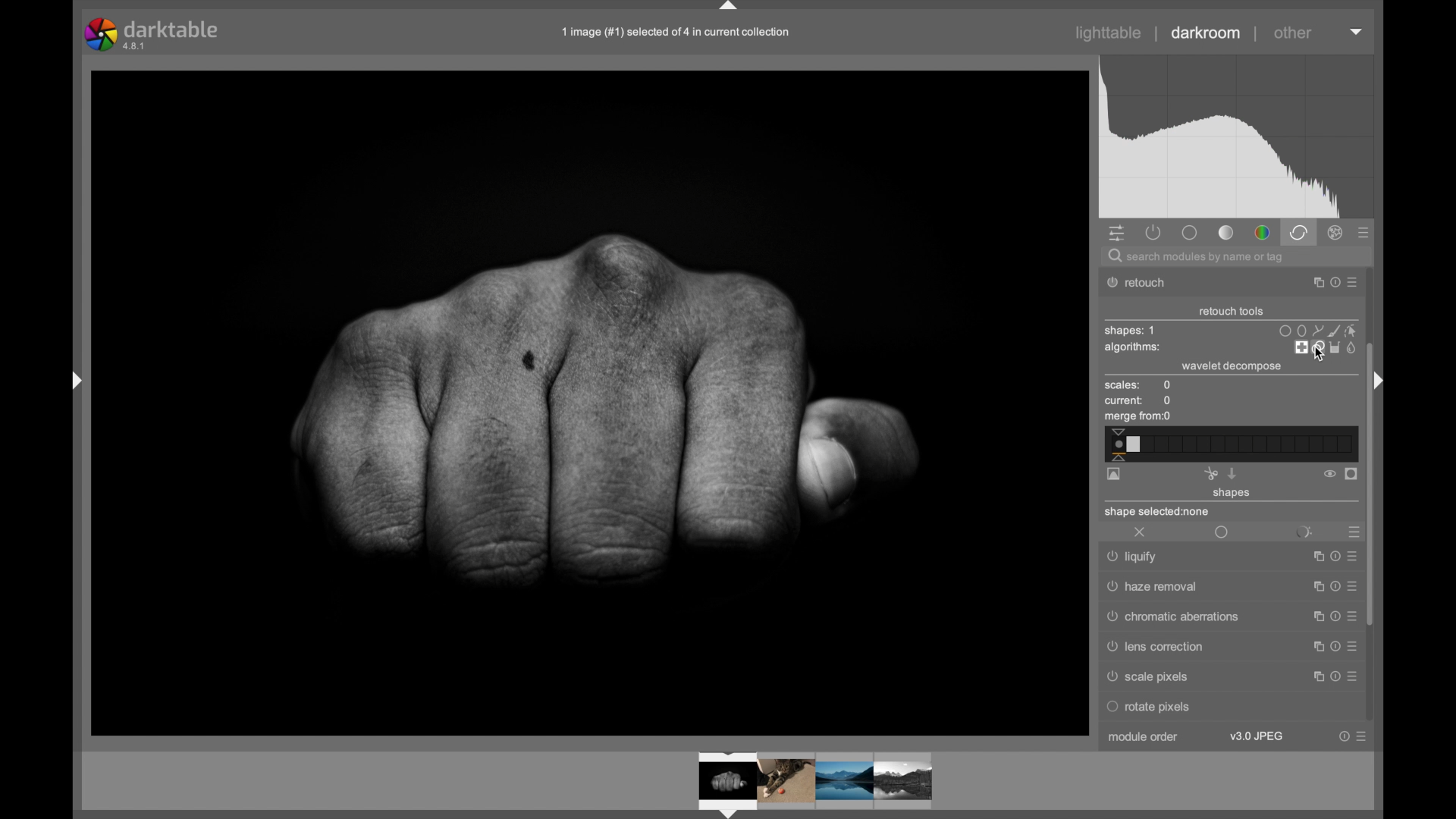 This screenshot has height=819, width=1456. I want to click on base, so click(1189, 232).